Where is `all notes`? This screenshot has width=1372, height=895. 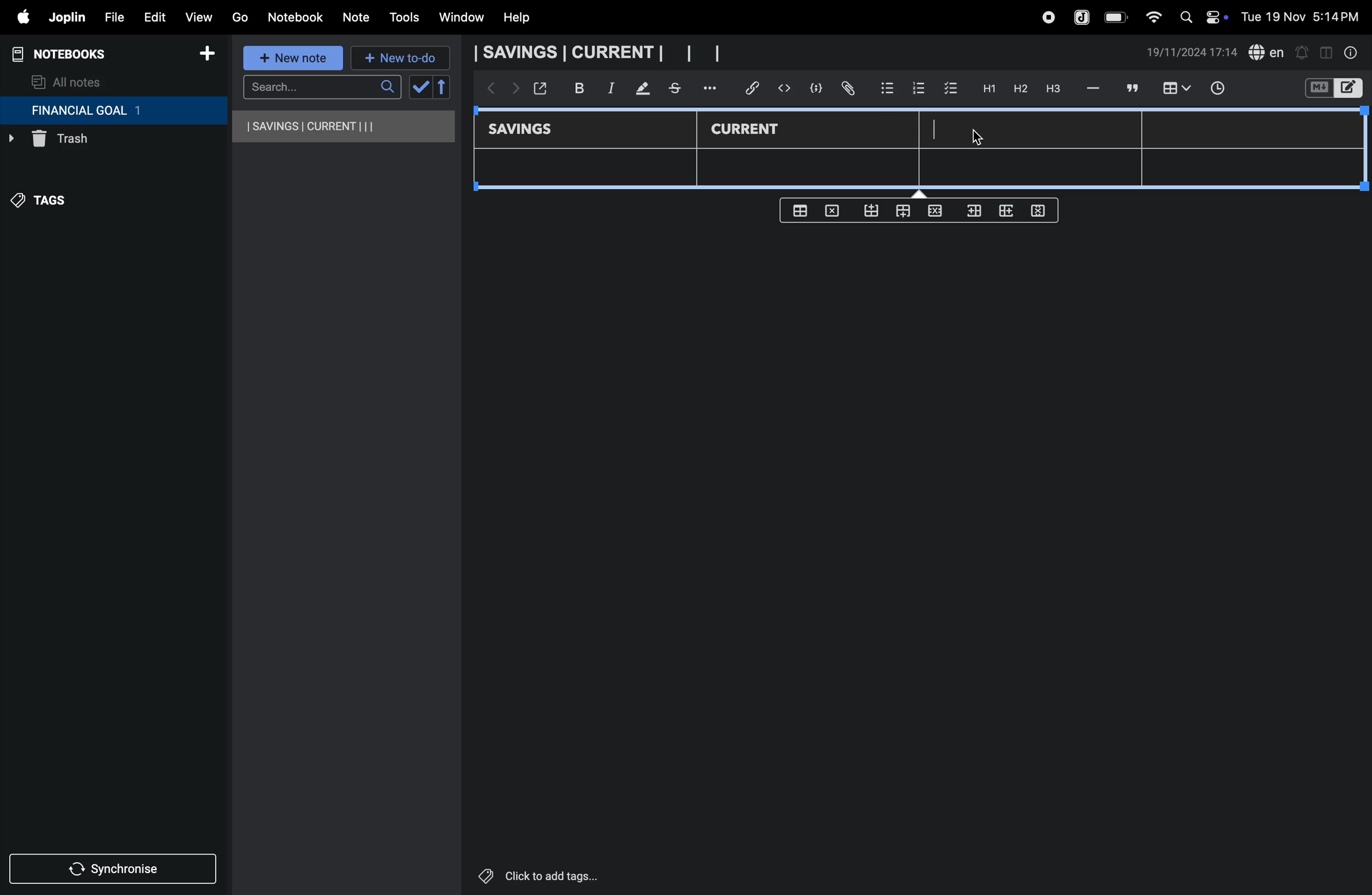
all notes is located at coordinates (67, 81).